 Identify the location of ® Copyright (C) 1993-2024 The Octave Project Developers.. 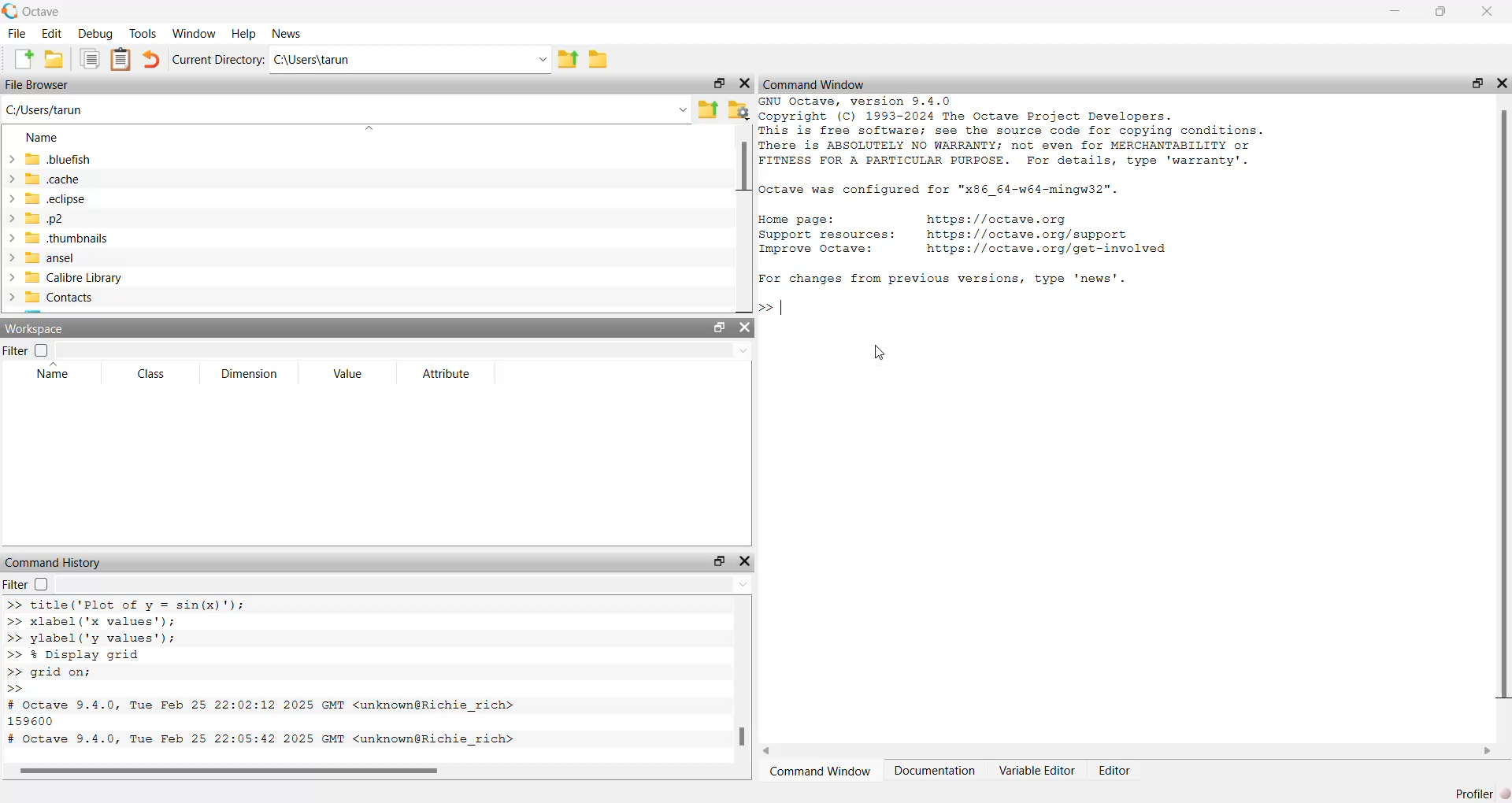
(973, 116).